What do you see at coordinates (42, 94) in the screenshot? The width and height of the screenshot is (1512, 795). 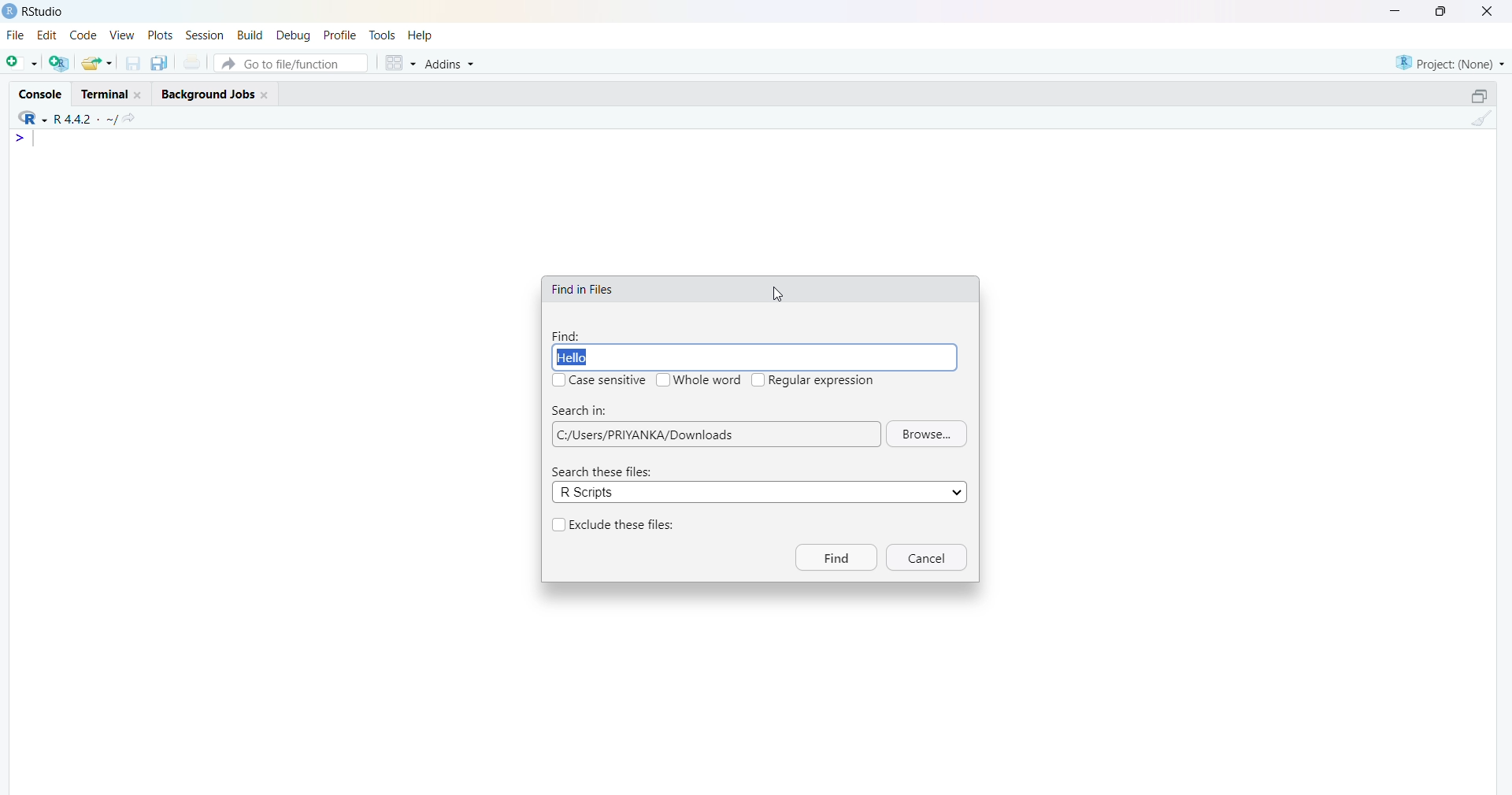 I see `console` at bounding box center [42, 94].